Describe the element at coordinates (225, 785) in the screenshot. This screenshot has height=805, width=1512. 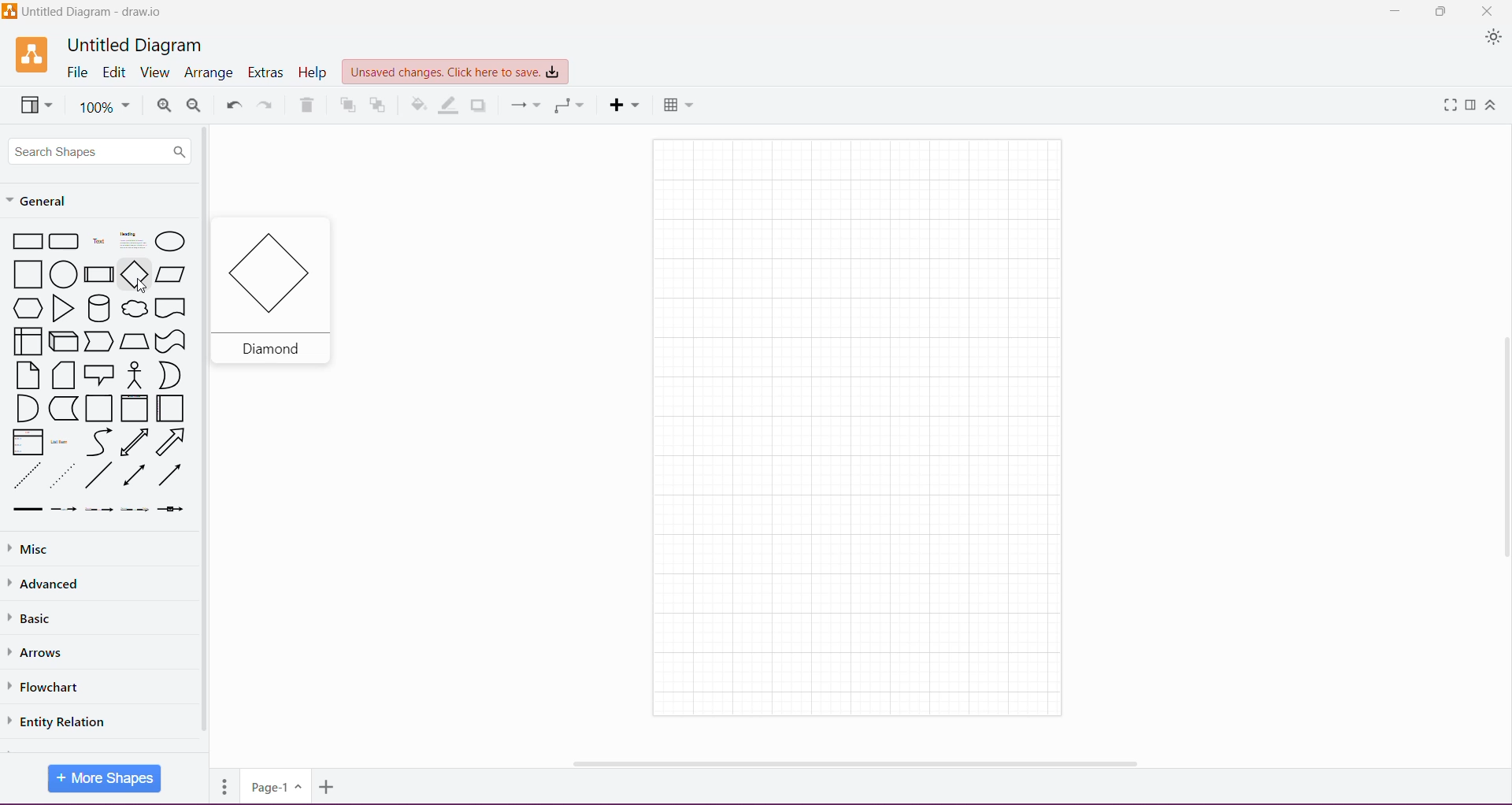
I see `Pages` at that location.